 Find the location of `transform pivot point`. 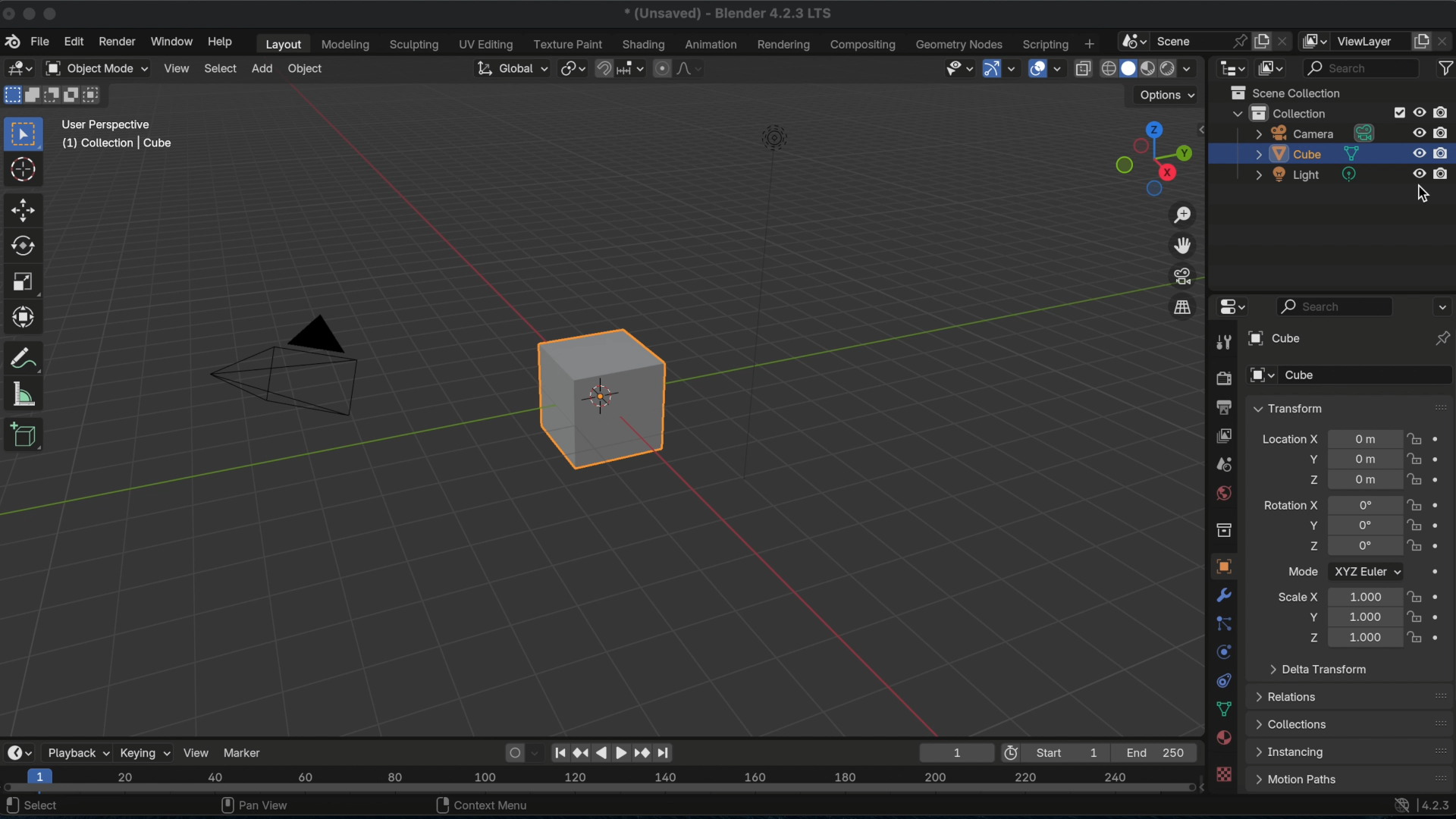

transform pivot point is located at coordinates (573, 67).